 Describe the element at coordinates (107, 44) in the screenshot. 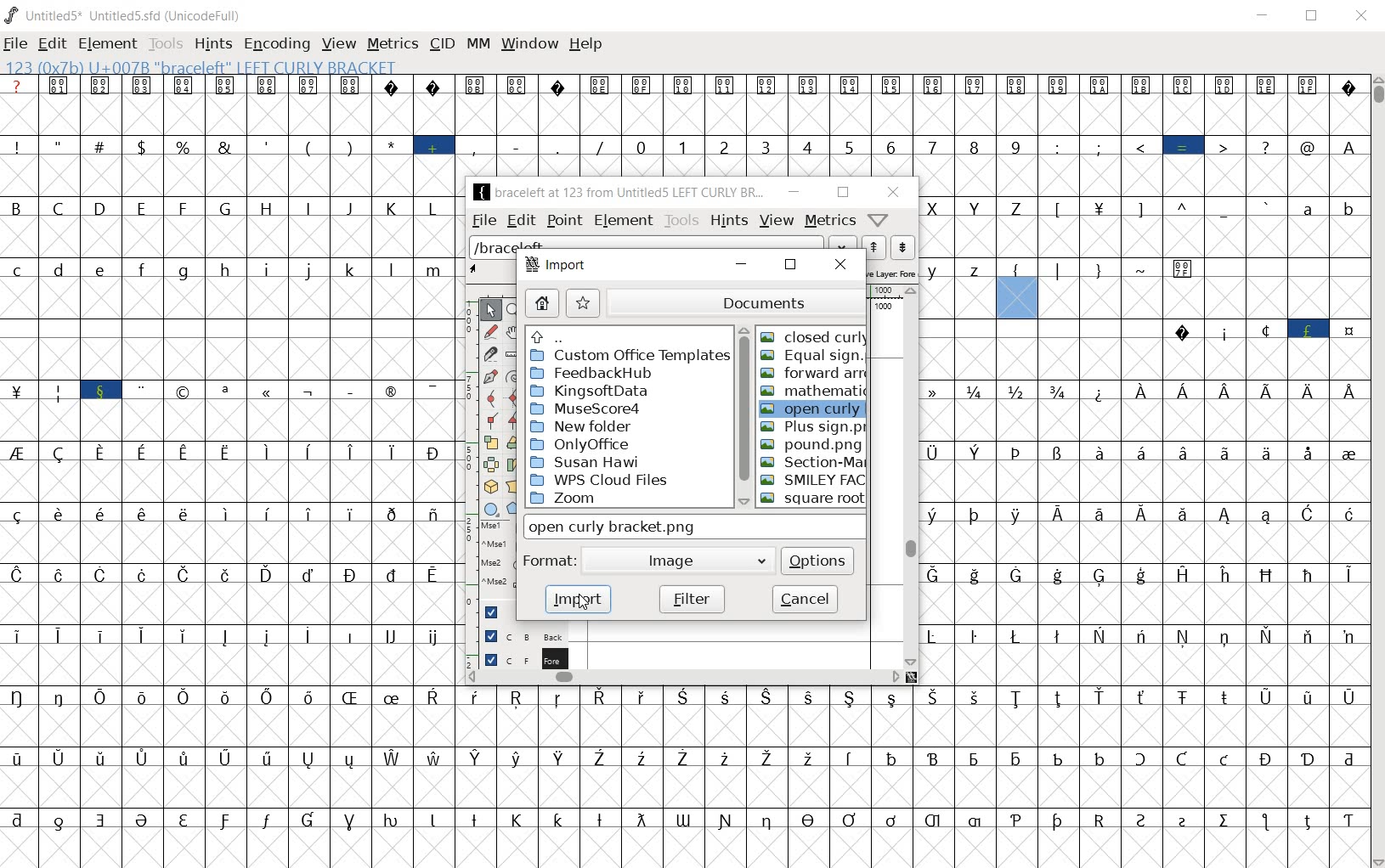

I see `element` at that location.